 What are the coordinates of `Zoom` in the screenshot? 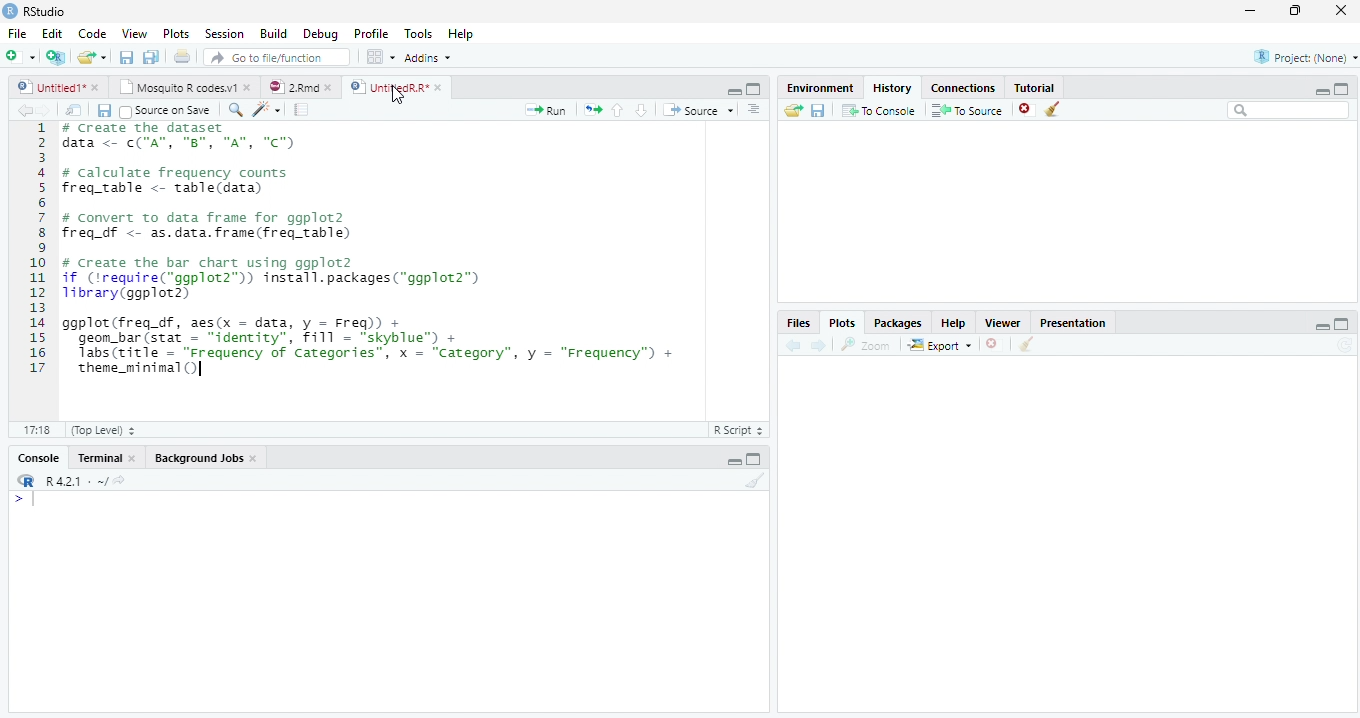 It's located at (236, 111).